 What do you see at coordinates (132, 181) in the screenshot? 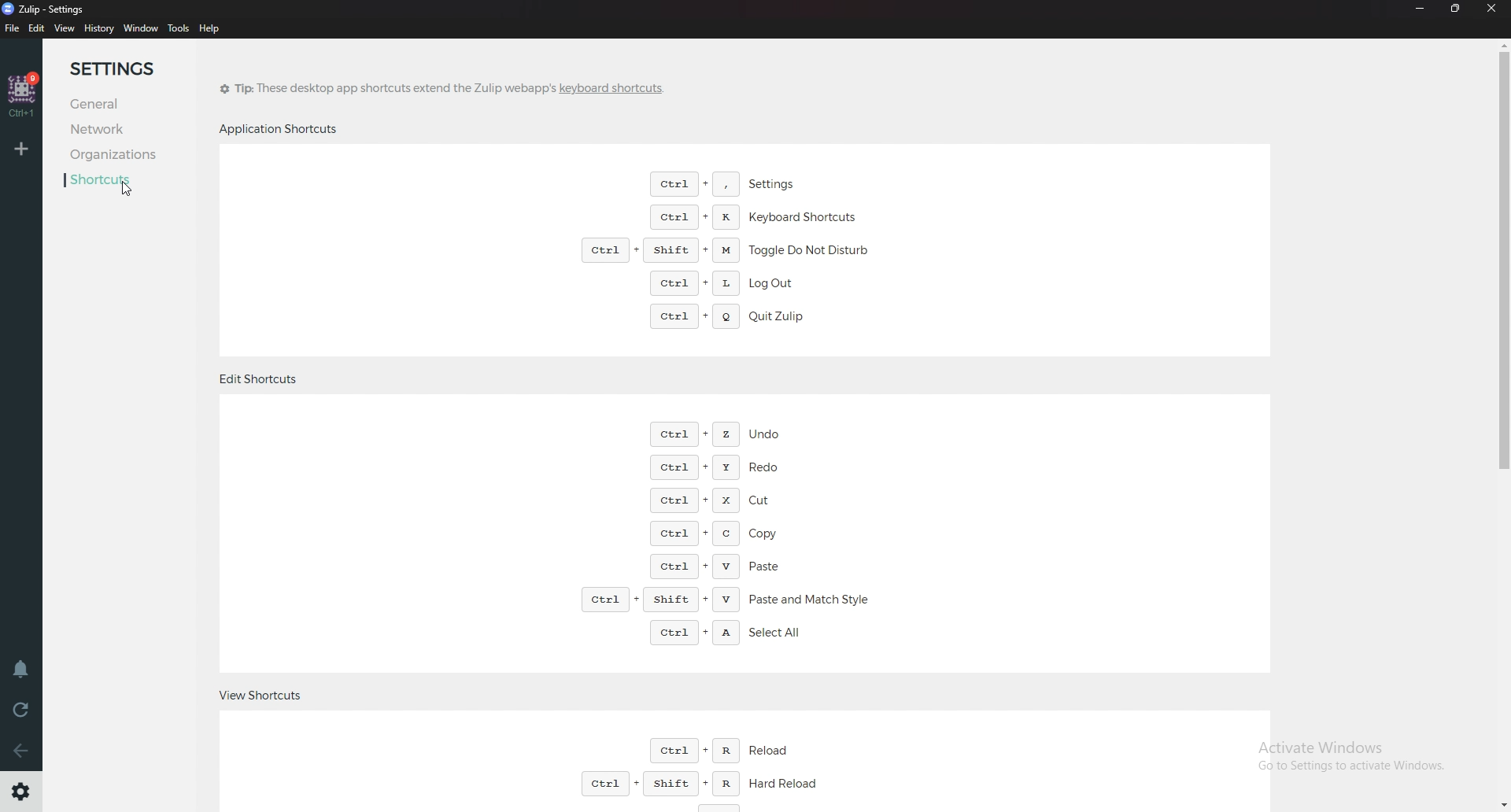
I see `Shortcuts` at bounding box center [132, 181].